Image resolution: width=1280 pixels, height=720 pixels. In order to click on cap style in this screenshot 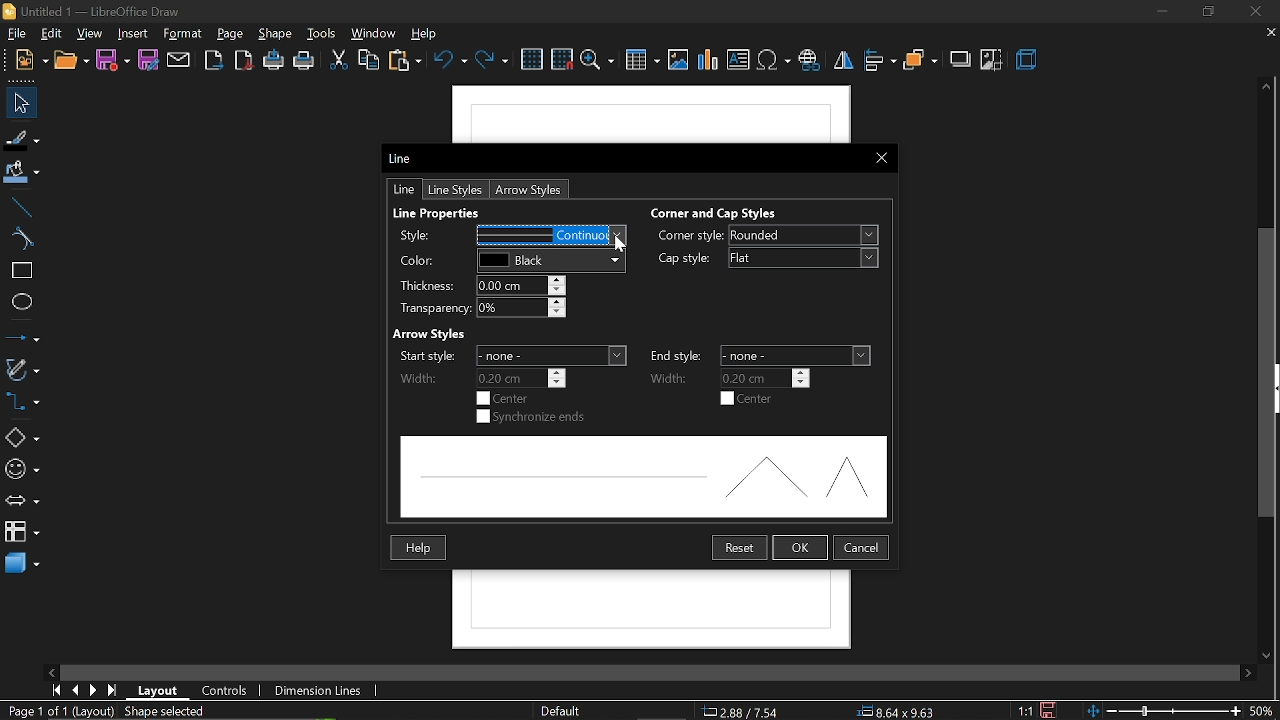, I will do `click(766, 258)`.